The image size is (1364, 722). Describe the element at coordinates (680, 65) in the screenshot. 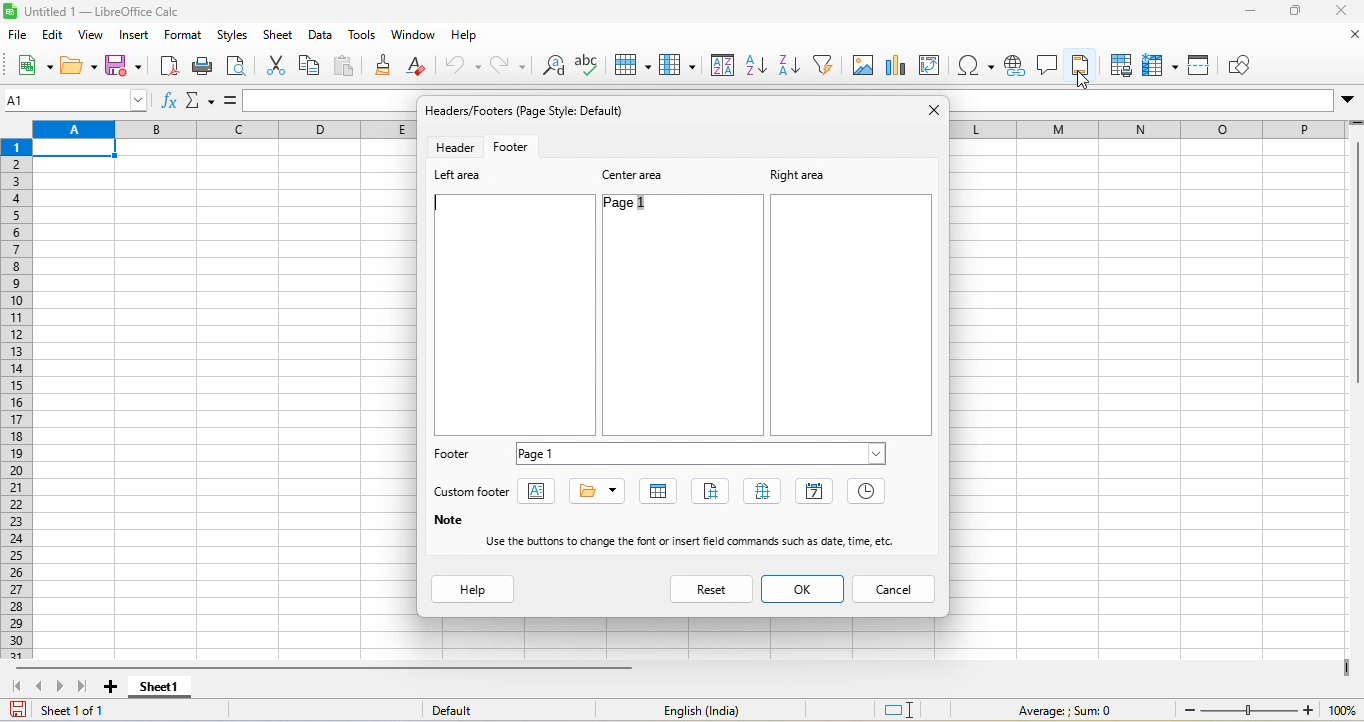

I see `column` at that location.